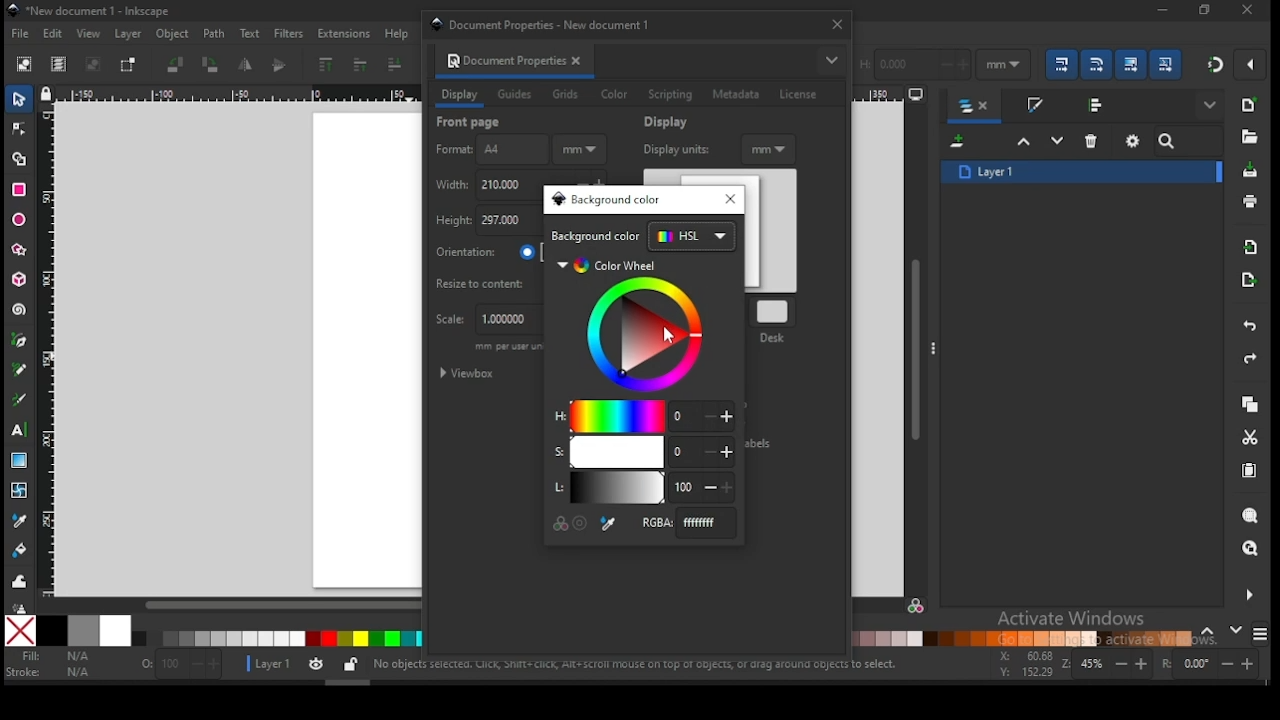 The image size is (1280, 720). I want to click on close window, so click(836, 24).